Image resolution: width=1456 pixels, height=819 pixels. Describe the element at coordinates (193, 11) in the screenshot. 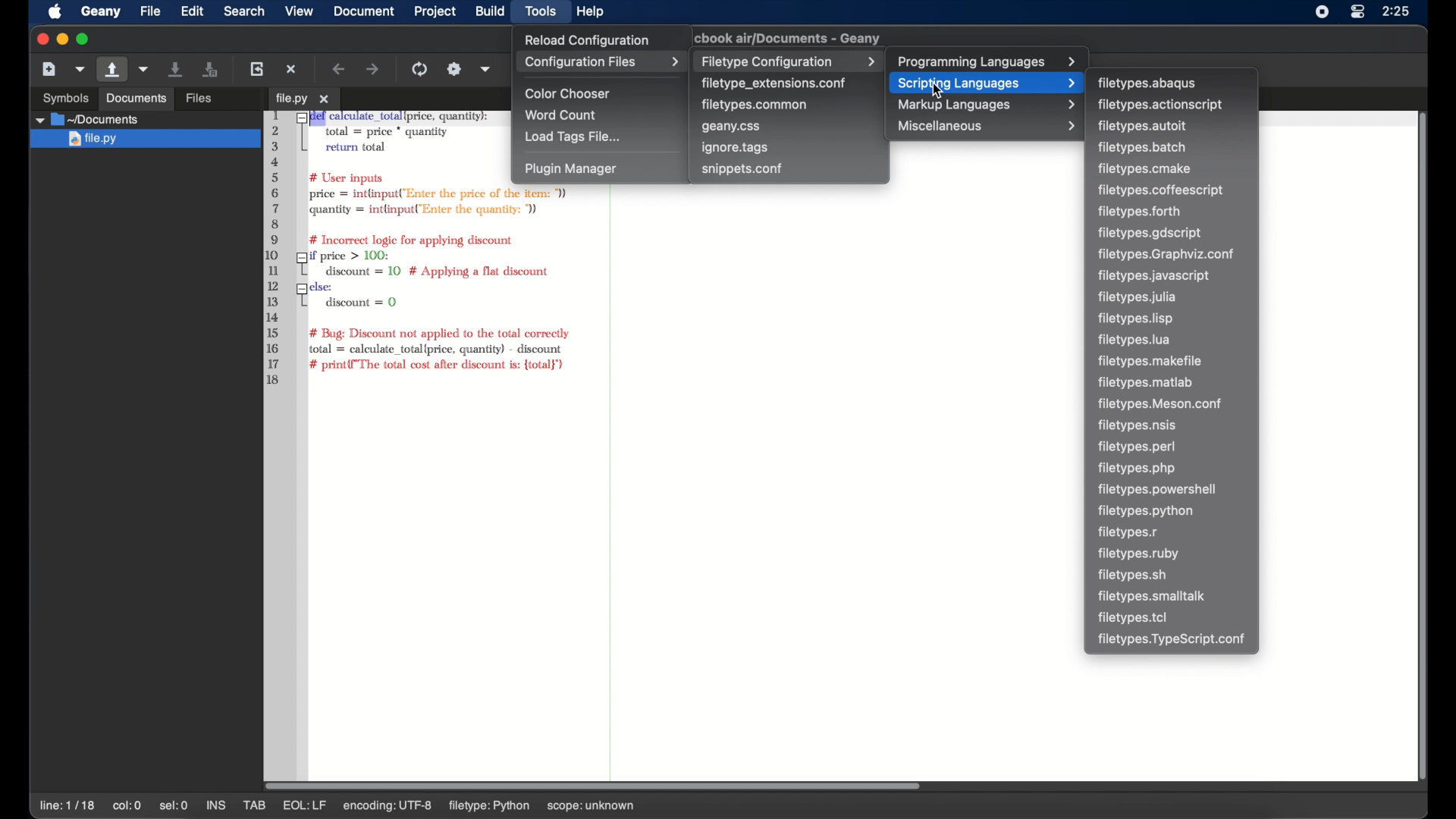

I see `edit` at that location.